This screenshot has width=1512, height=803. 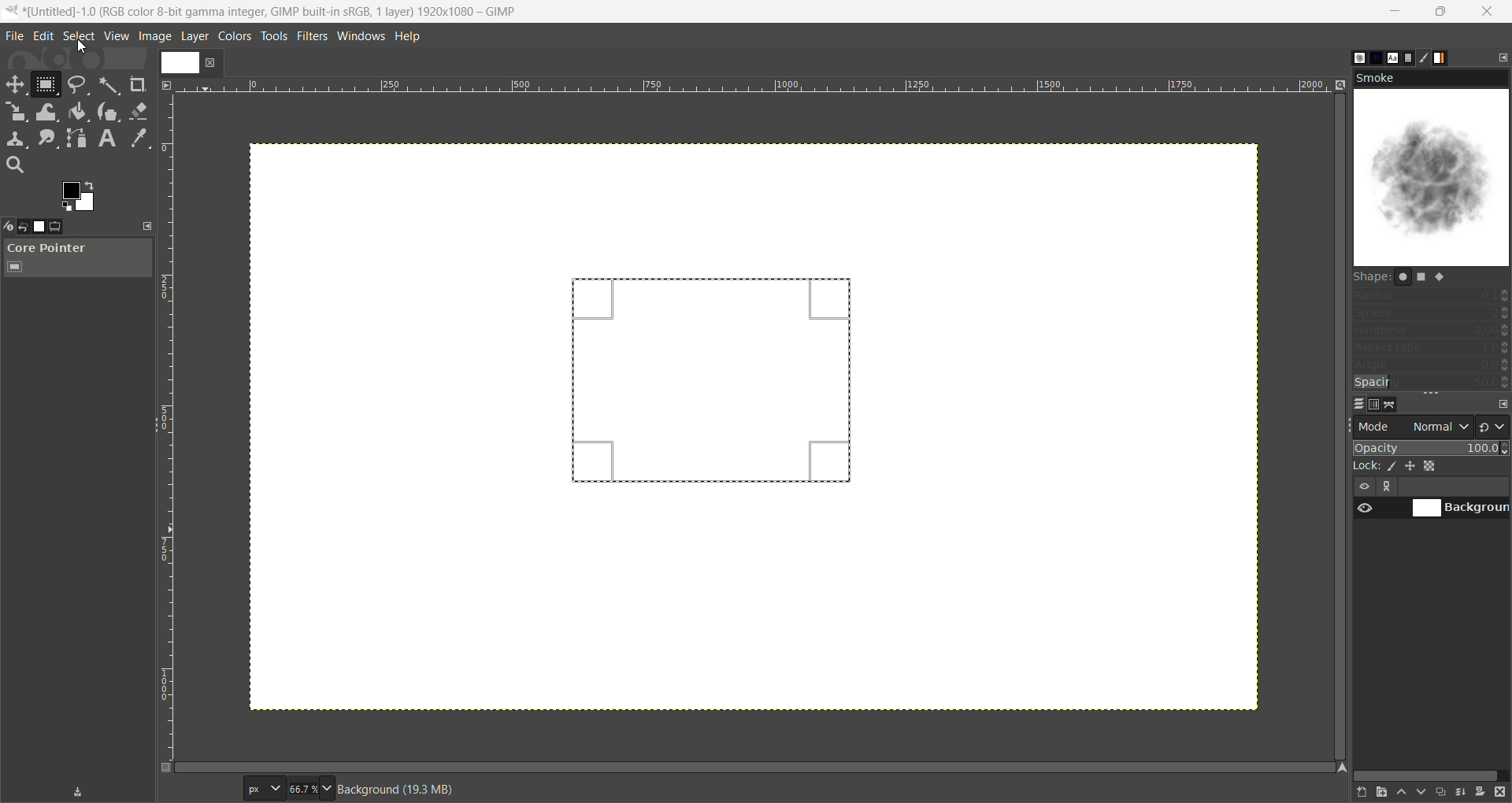 I want to click on scale bar, so click(x=753, y=88).